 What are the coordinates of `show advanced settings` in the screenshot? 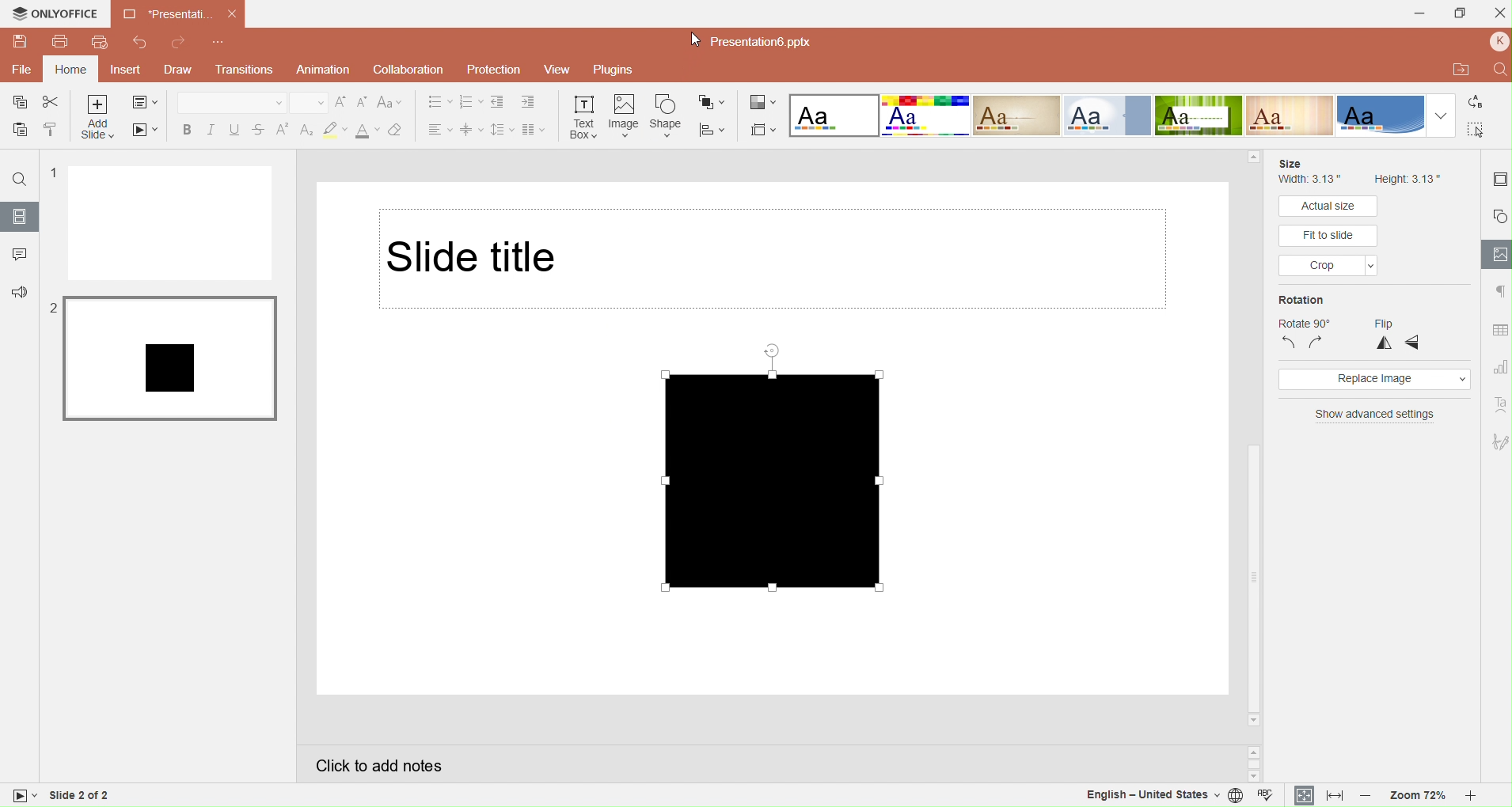 It's located at (1375, 416).